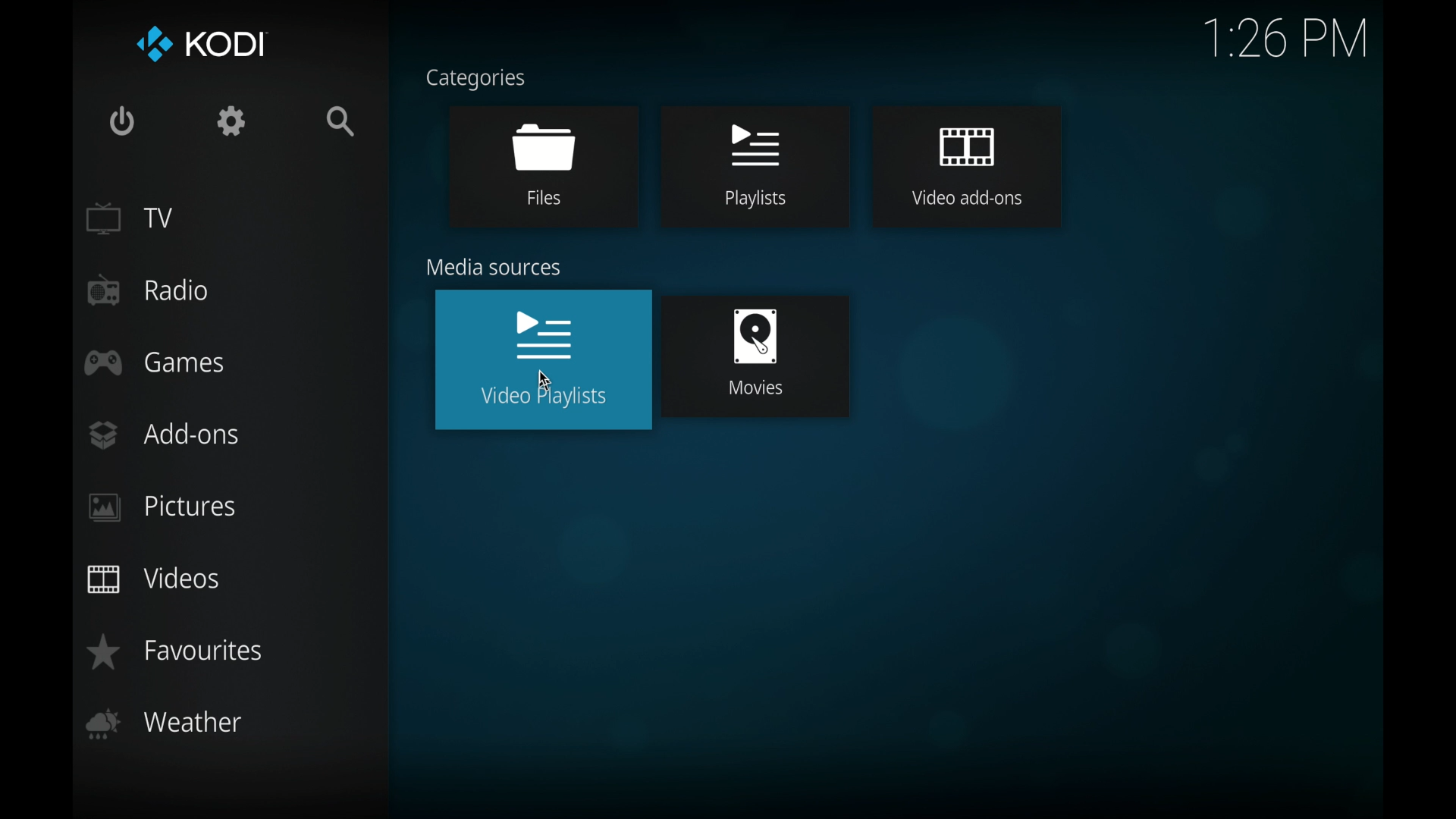  What do you see at coordinates (163, 724) in the screenshot?
I see `weather` at bounding box center [163, 724].